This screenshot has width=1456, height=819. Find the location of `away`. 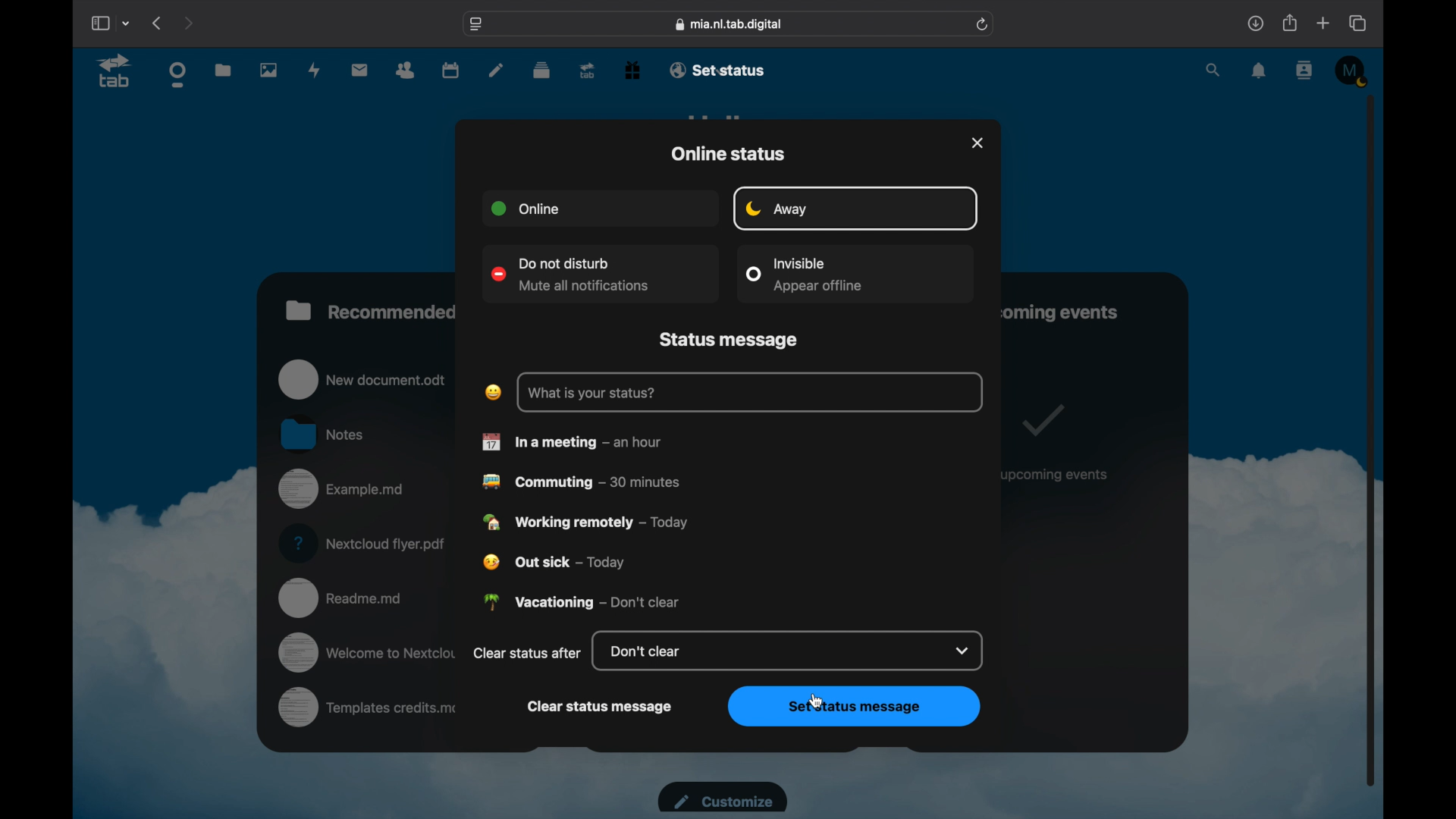

away is located at coordinates (777, 209).